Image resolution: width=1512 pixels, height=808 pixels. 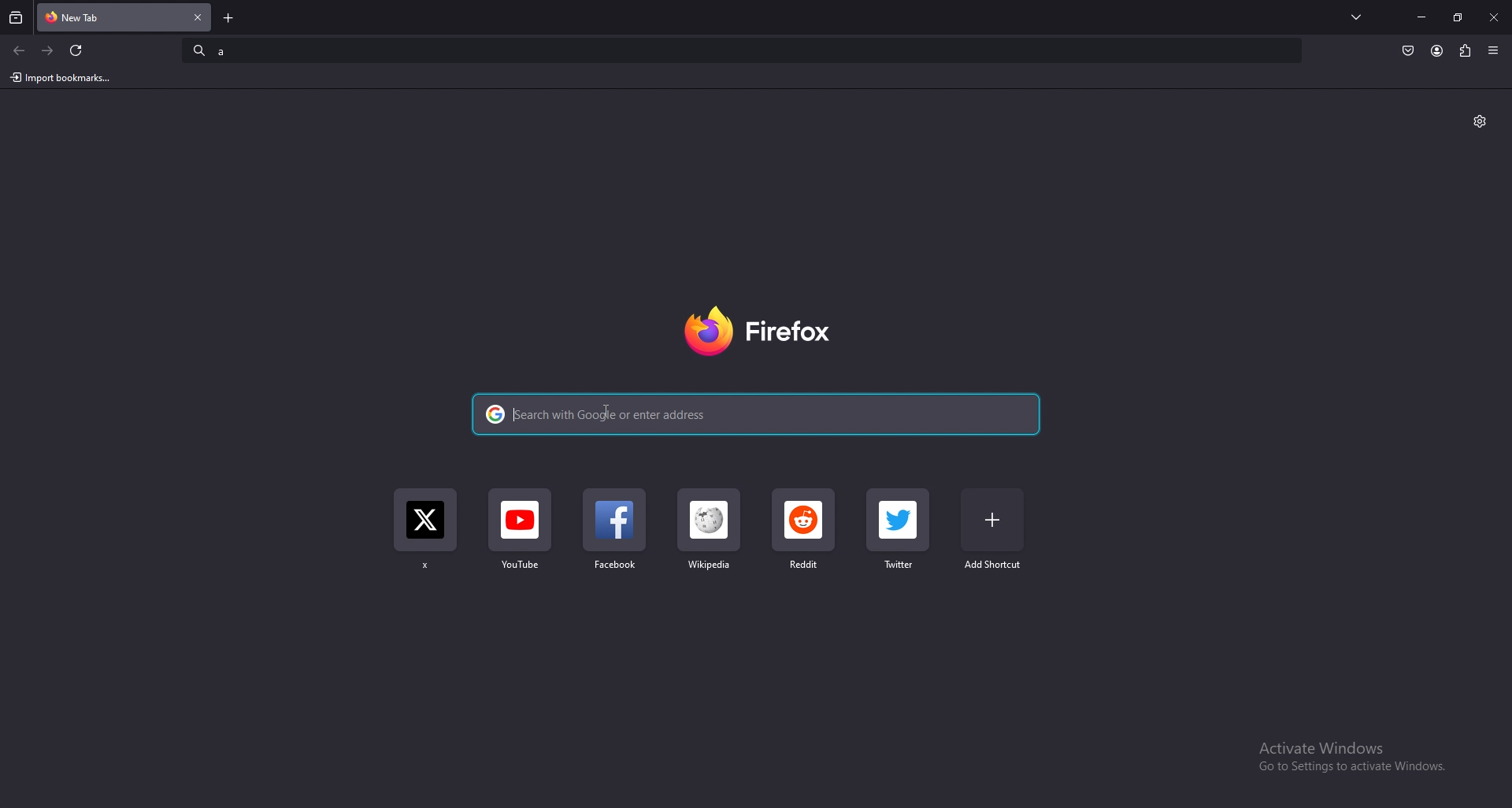 What do you see at coordinates (425, 535) in the screenshot?
I see `twitter` at bounding box center [425, 535].